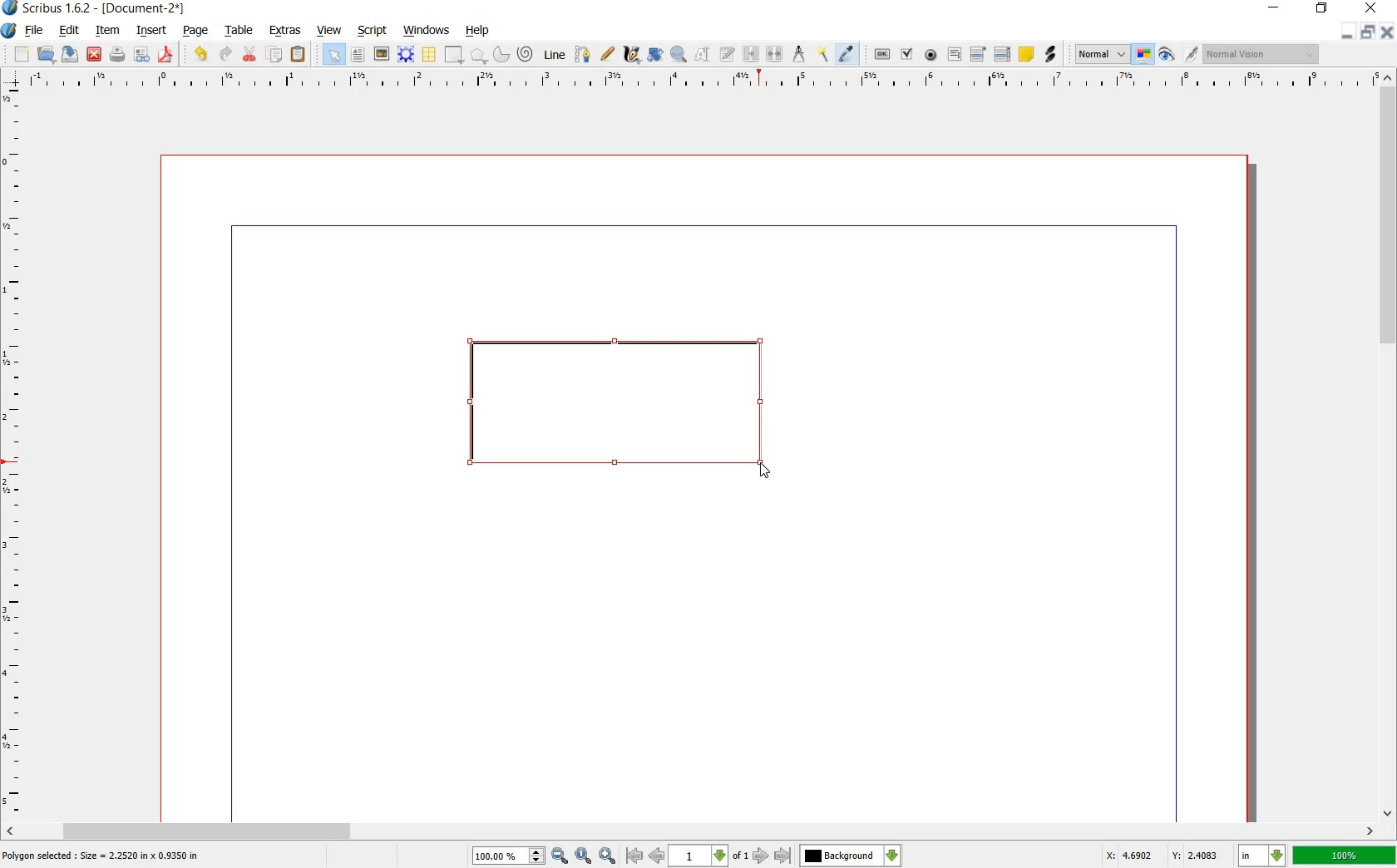  I want to click on RULER, so click(700, 81).